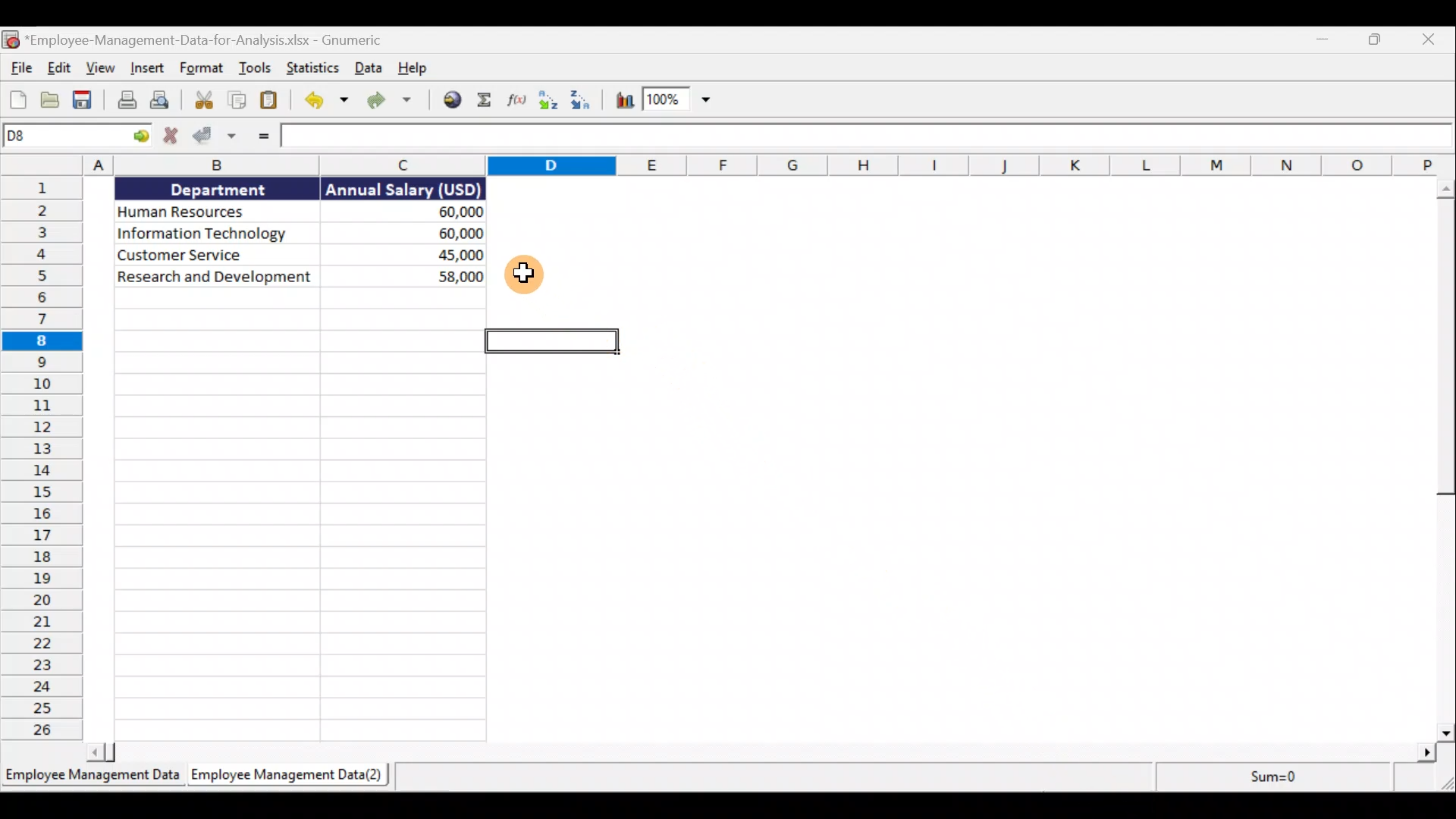 This screenshot has height=819, width=1456. Describe the element at coordinates (41, 460) in the screenshot. I see `Rows` at that location.